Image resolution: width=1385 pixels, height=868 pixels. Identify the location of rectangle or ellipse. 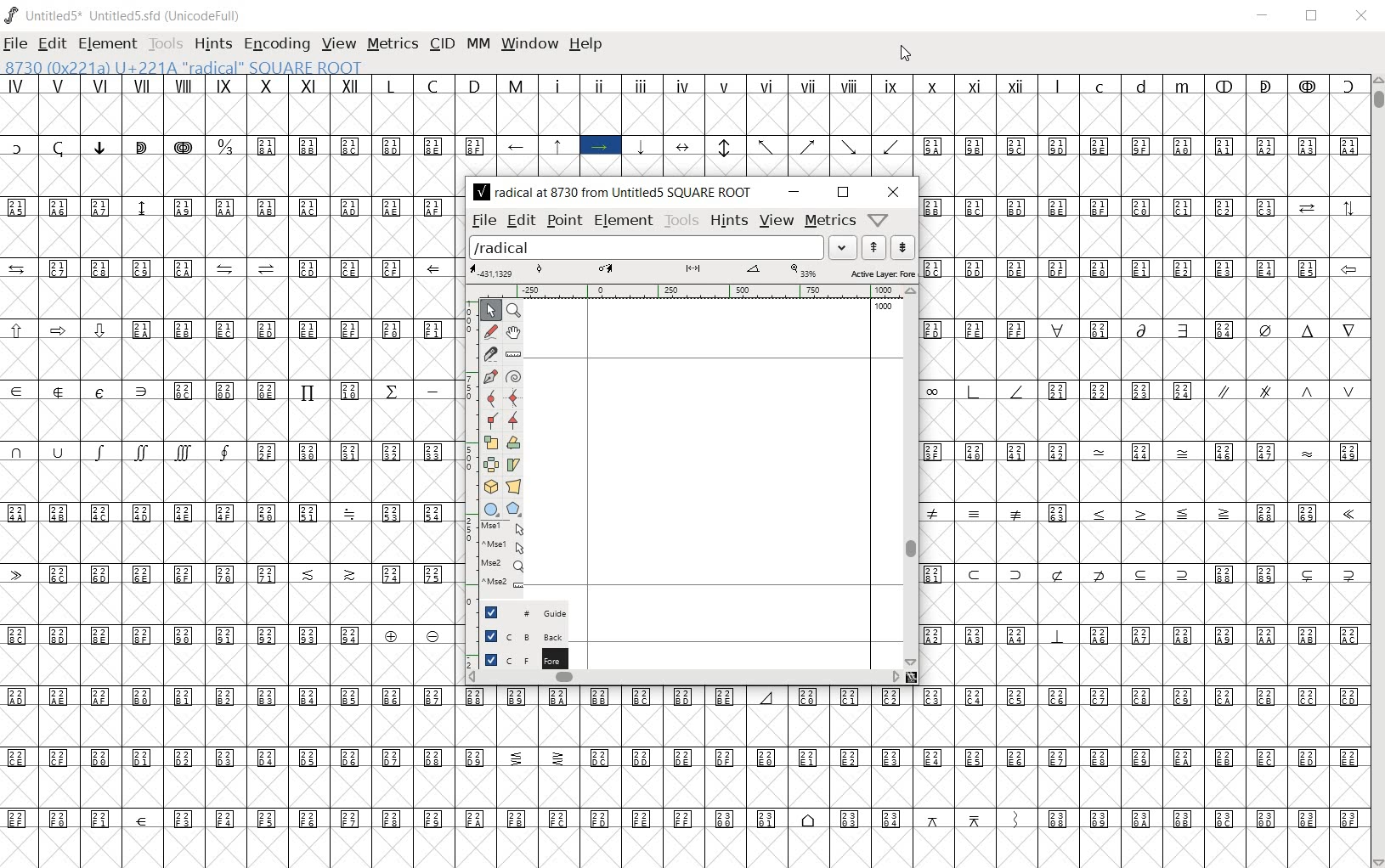
(490, 509).